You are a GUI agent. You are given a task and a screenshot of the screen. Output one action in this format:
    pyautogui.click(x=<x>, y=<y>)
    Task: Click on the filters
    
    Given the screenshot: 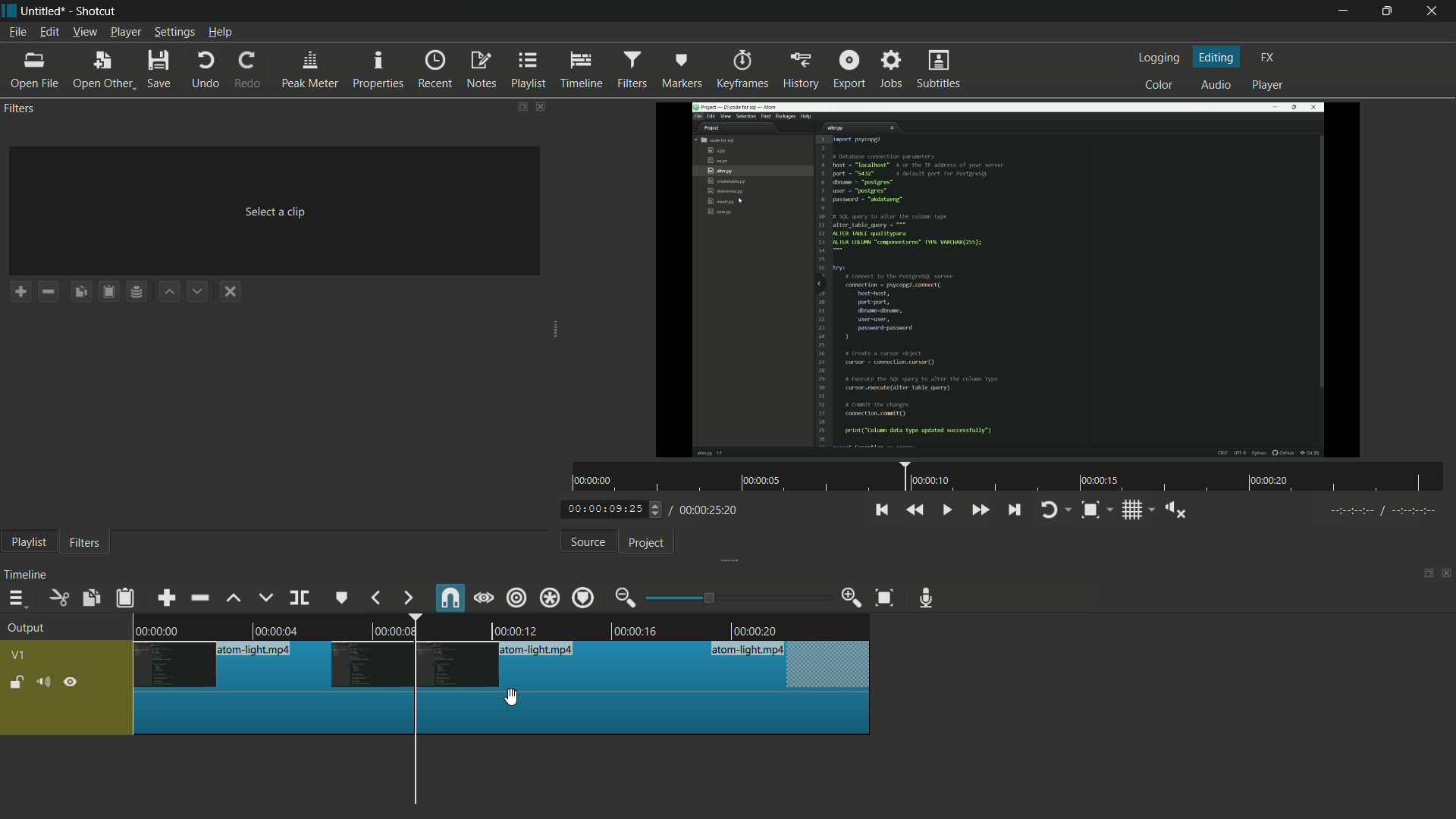 What is the action you would take?
    pyautogui.click(x=635, y=70)
    